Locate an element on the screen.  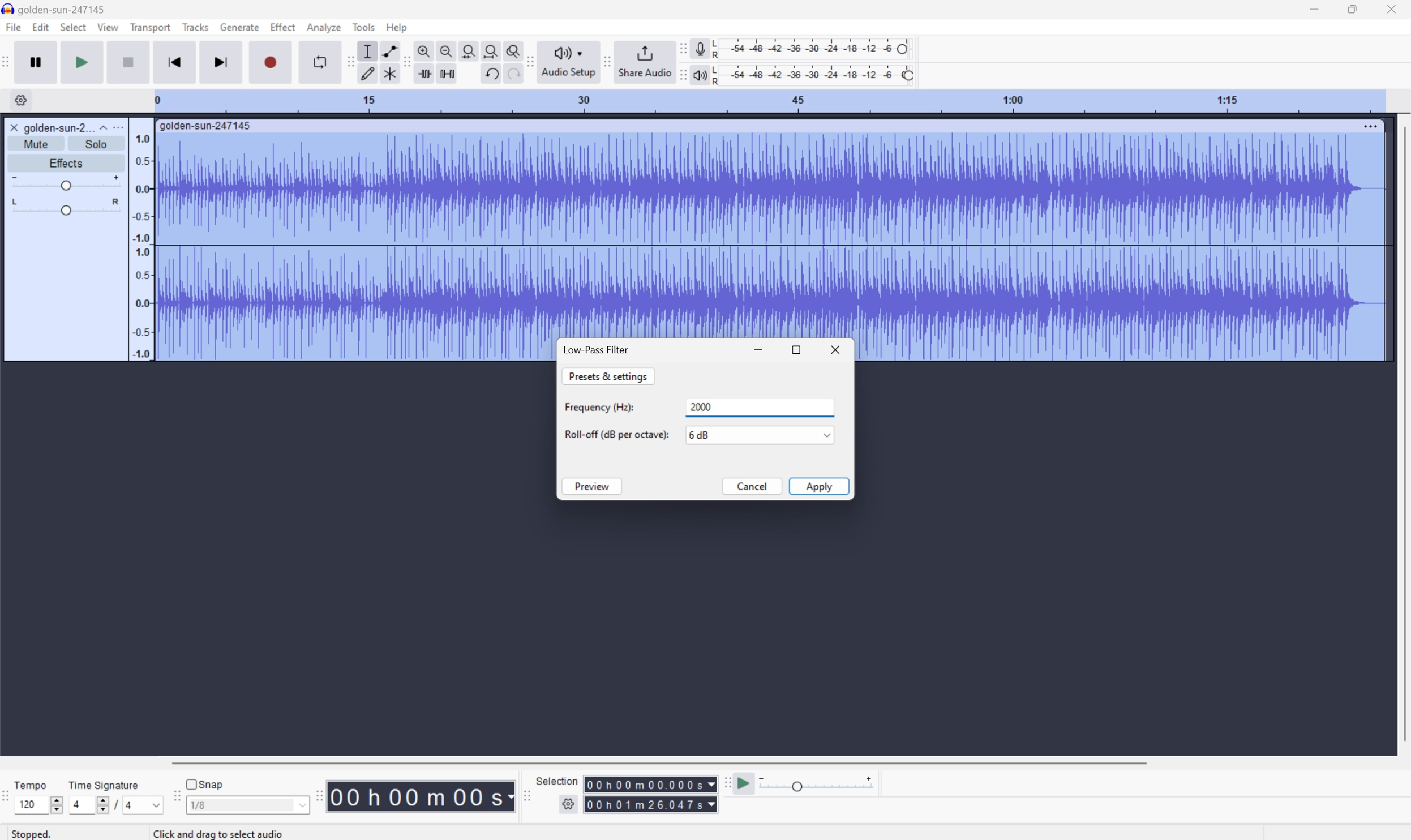
Mute is located at coordinates (36, 144).